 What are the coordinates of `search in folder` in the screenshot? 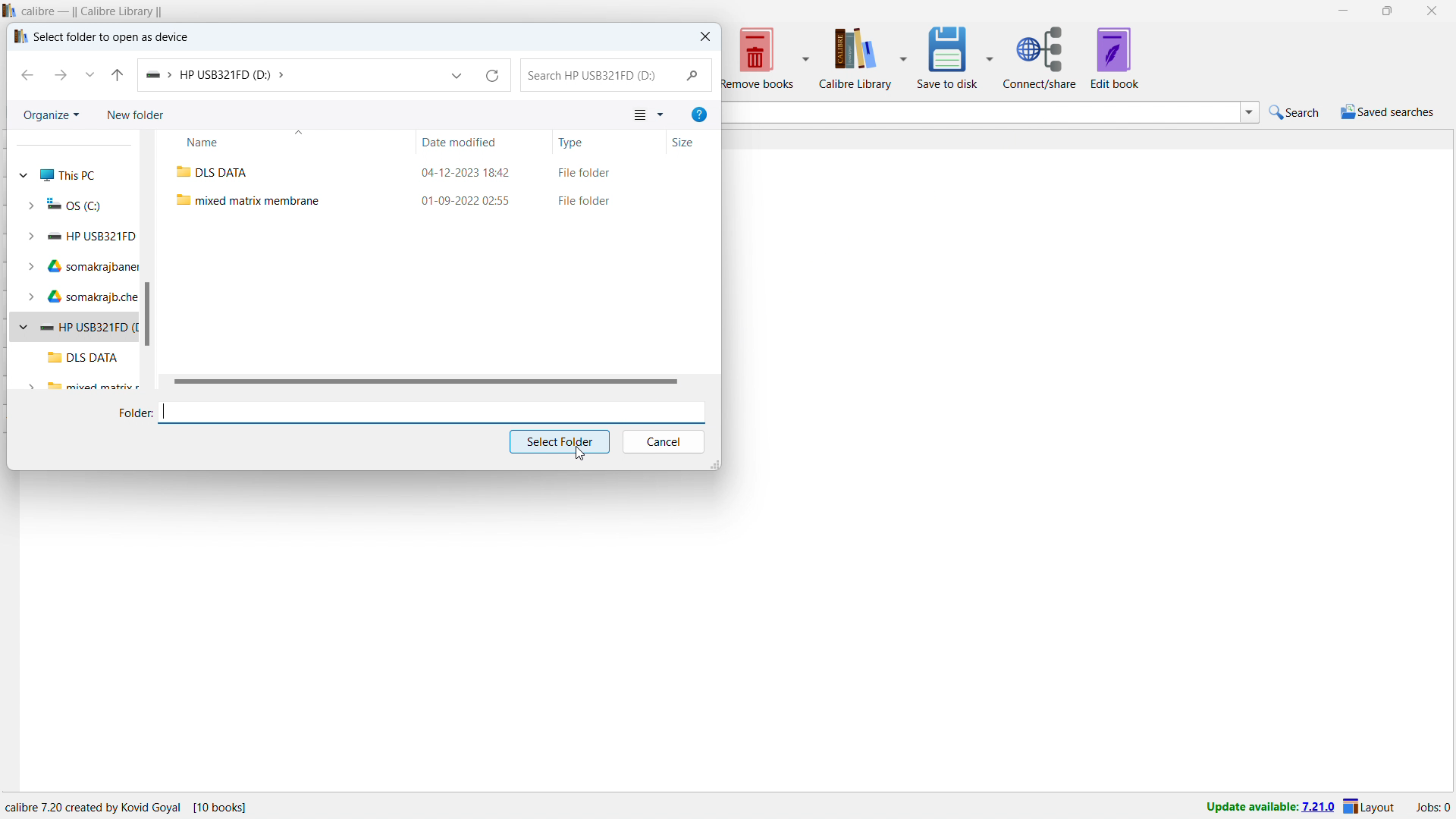 It's located at (617, 76).